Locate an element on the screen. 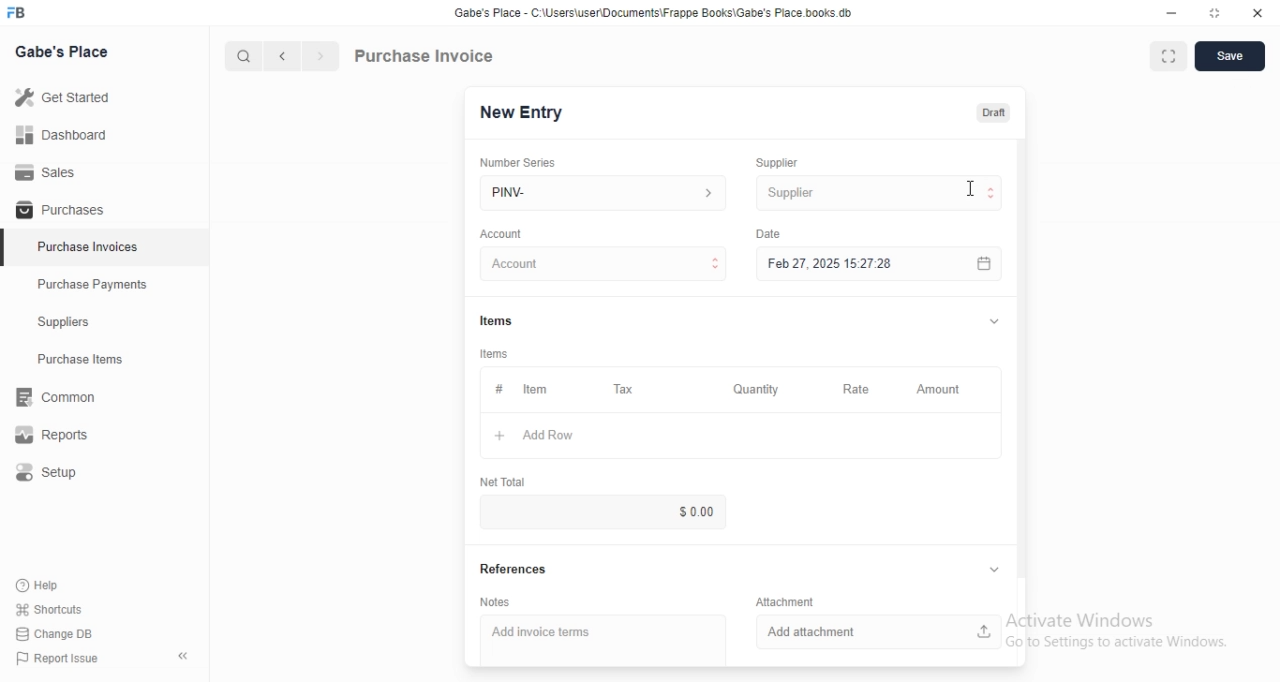  Account is located at coordinates (603, 263).